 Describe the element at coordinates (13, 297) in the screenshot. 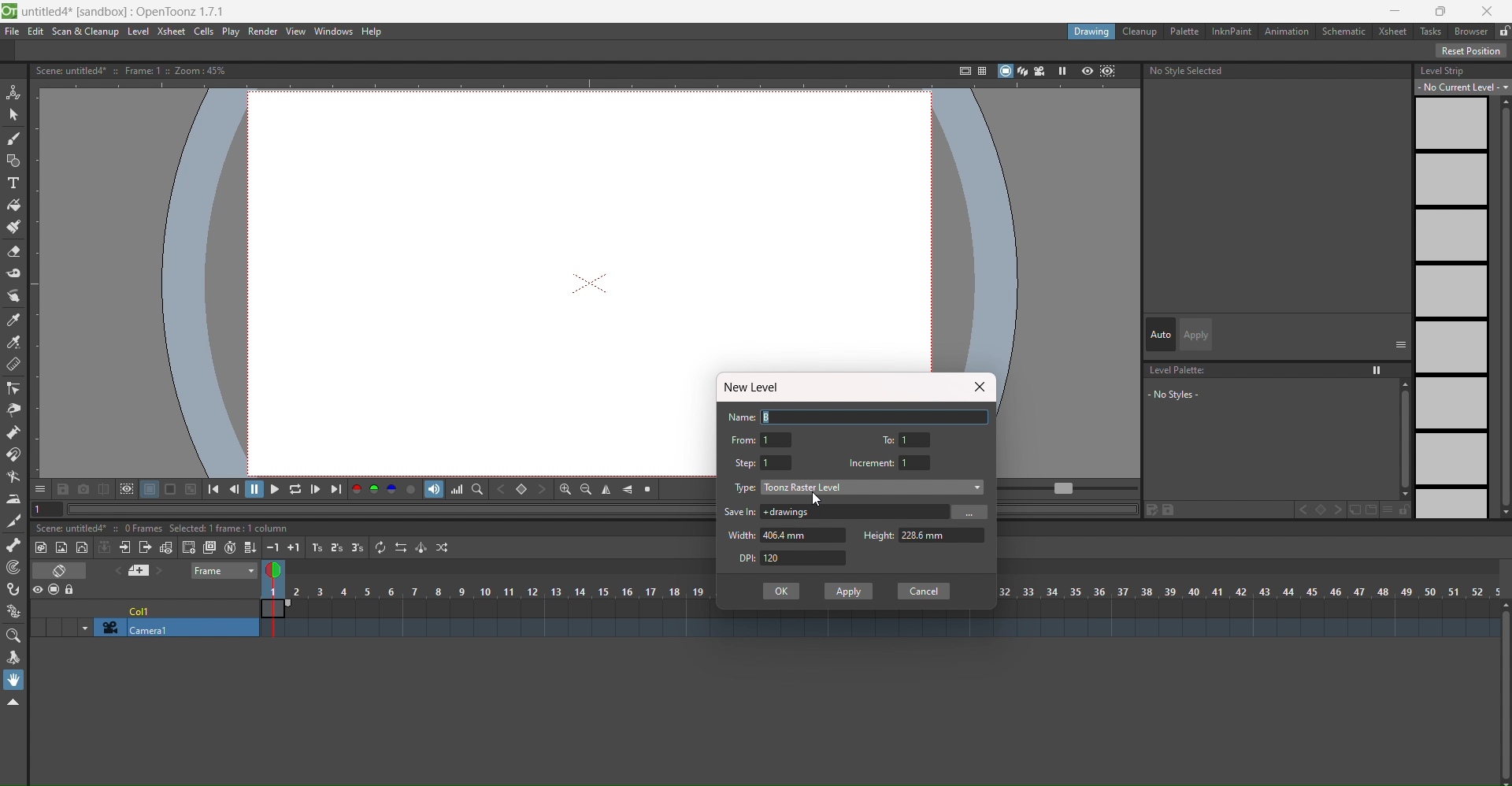

I see `finger tool` at that location.